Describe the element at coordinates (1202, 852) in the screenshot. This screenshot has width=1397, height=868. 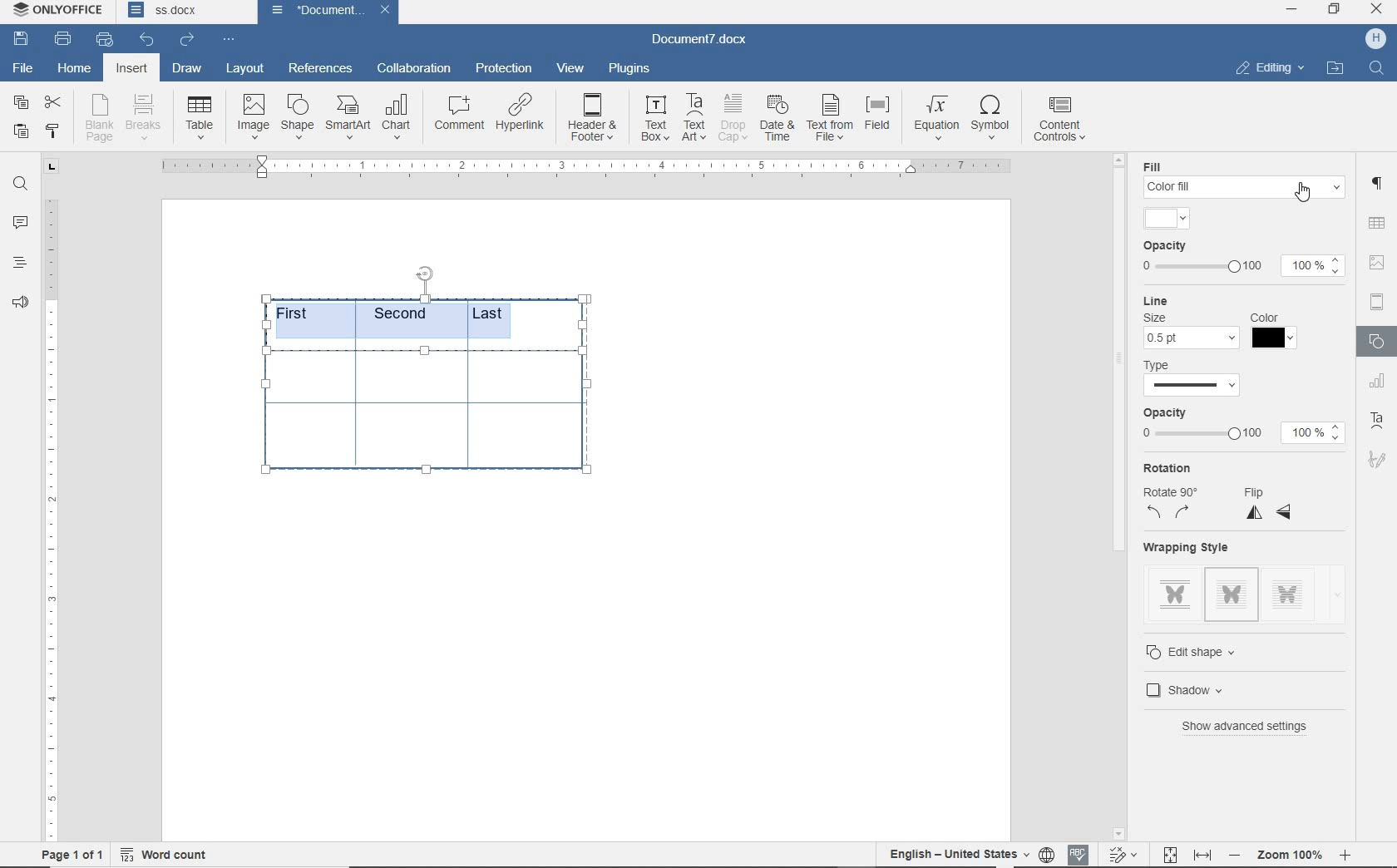
I see `fit to width` at that location.